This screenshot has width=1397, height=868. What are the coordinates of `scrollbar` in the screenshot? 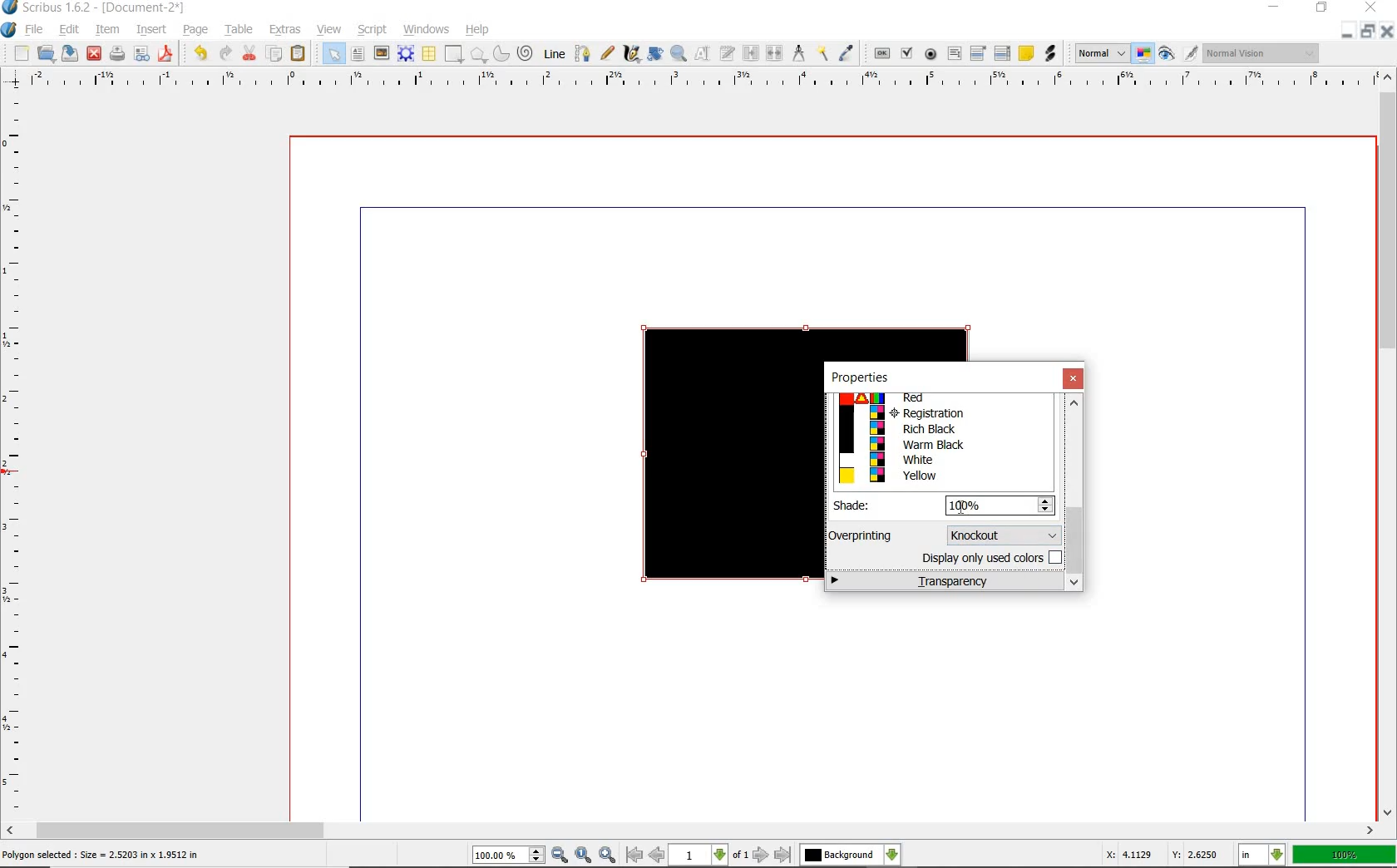 It's located at (1387, 445).